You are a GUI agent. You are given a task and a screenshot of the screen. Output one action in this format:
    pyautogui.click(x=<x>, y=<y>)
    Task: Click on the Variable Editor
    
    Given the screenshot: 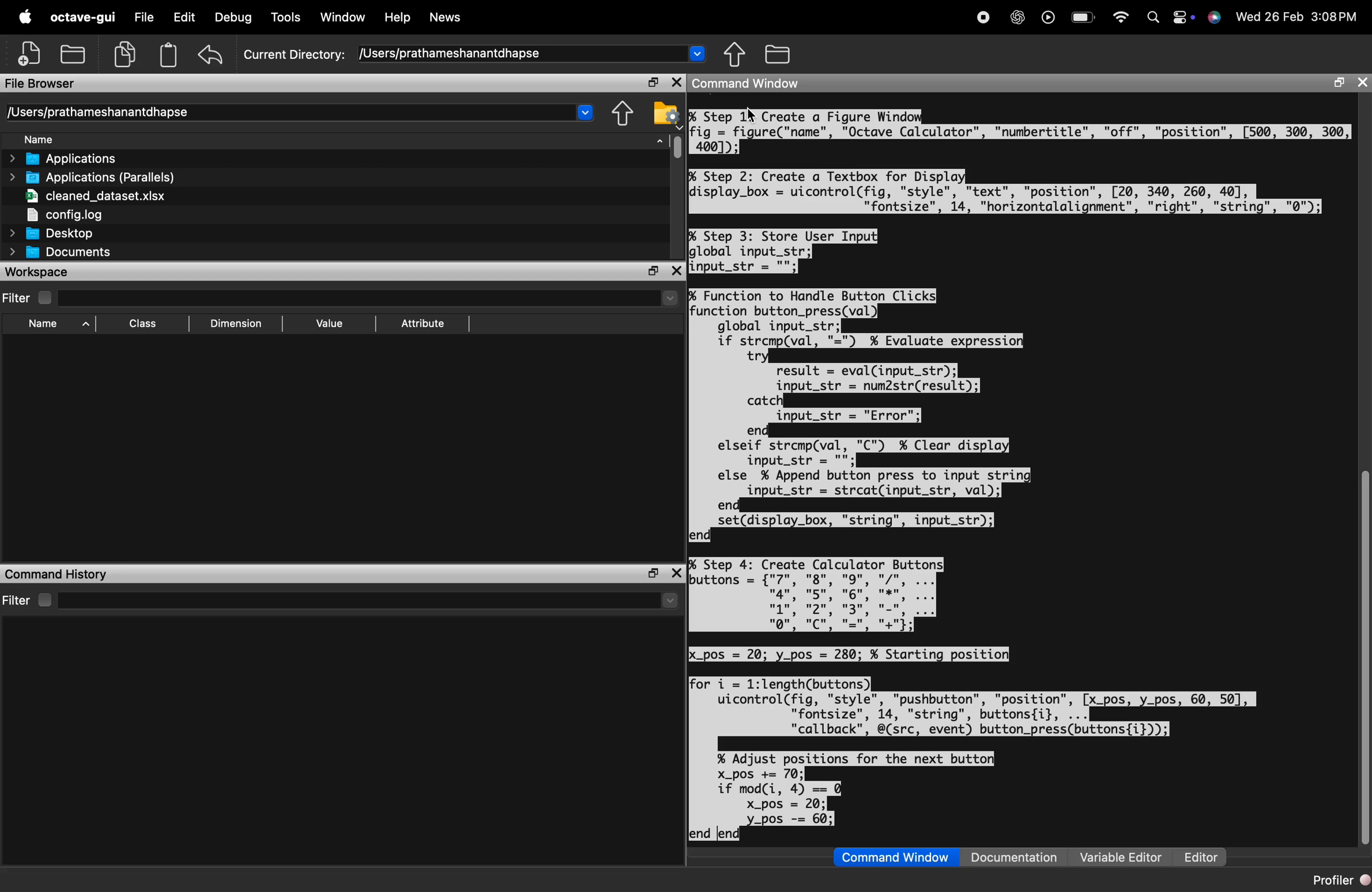 What is the action you would take?
    pyautogui.click(x=1118, y=858)
    